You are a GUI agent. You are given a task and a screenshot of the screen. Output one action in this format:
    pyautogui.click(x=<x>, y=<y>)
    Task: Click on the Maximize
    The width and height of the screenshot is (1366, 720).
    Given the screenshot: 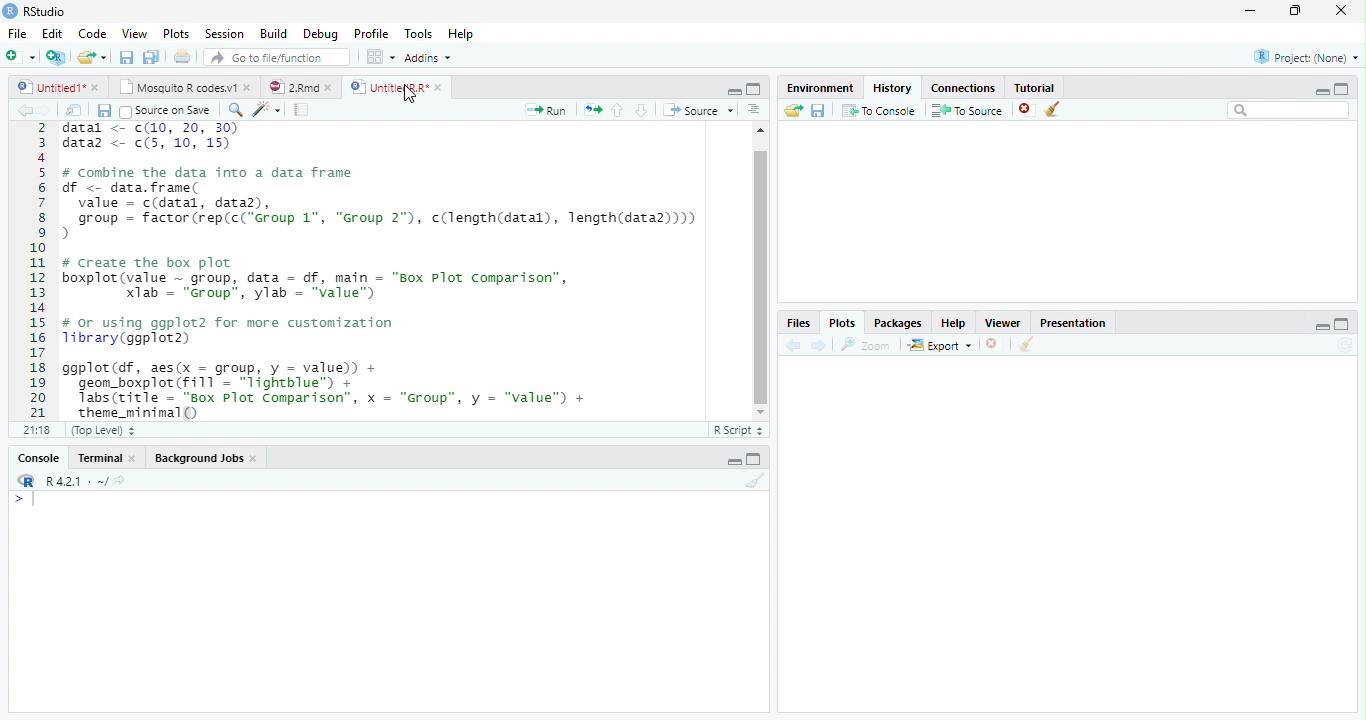 What is the action you would take?
    pyautogui.click(x=1342, y=89)
    